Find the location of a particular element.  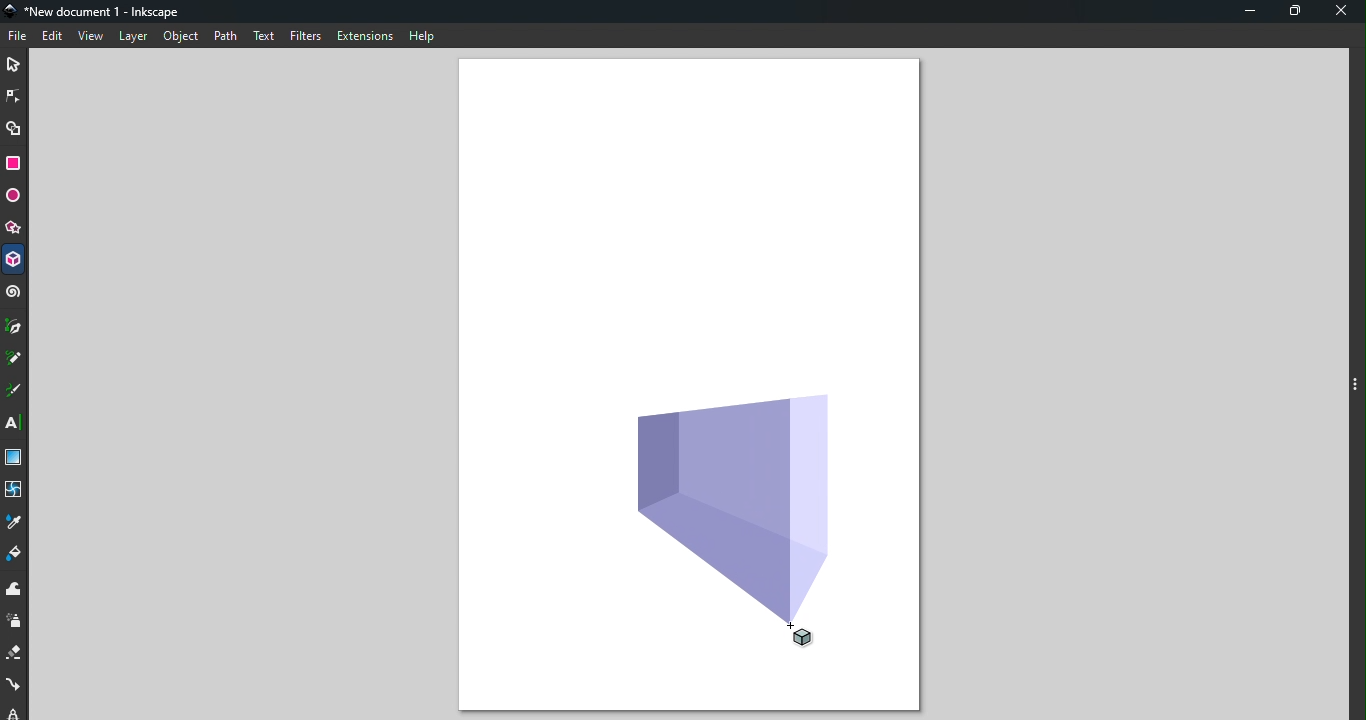

Text is located at coordinates (265, 37).